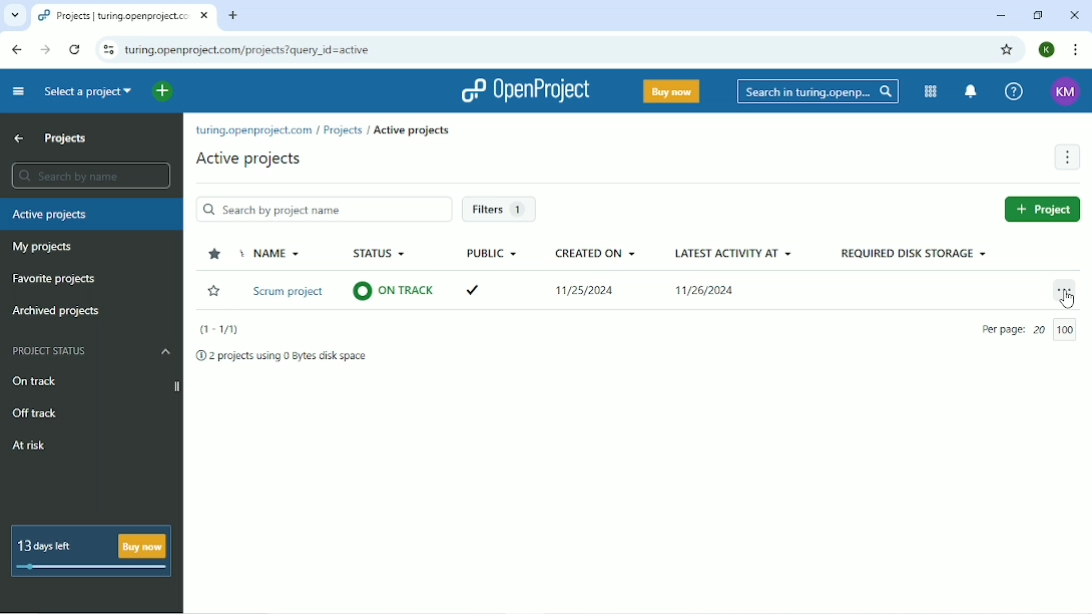  What do you see at coordinates (486, 286) in the screenshot?
I see `tick` at bounding box center [486, 286].